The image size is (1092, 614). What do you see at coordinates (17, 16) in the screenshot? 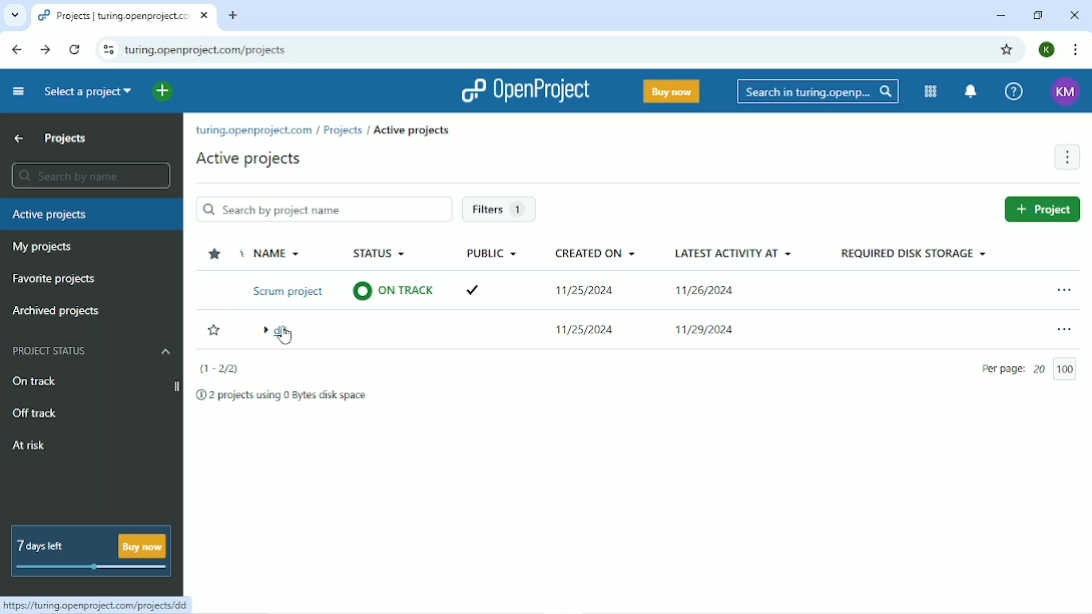
I see `Search tabs` at bounding box center [17, 16].